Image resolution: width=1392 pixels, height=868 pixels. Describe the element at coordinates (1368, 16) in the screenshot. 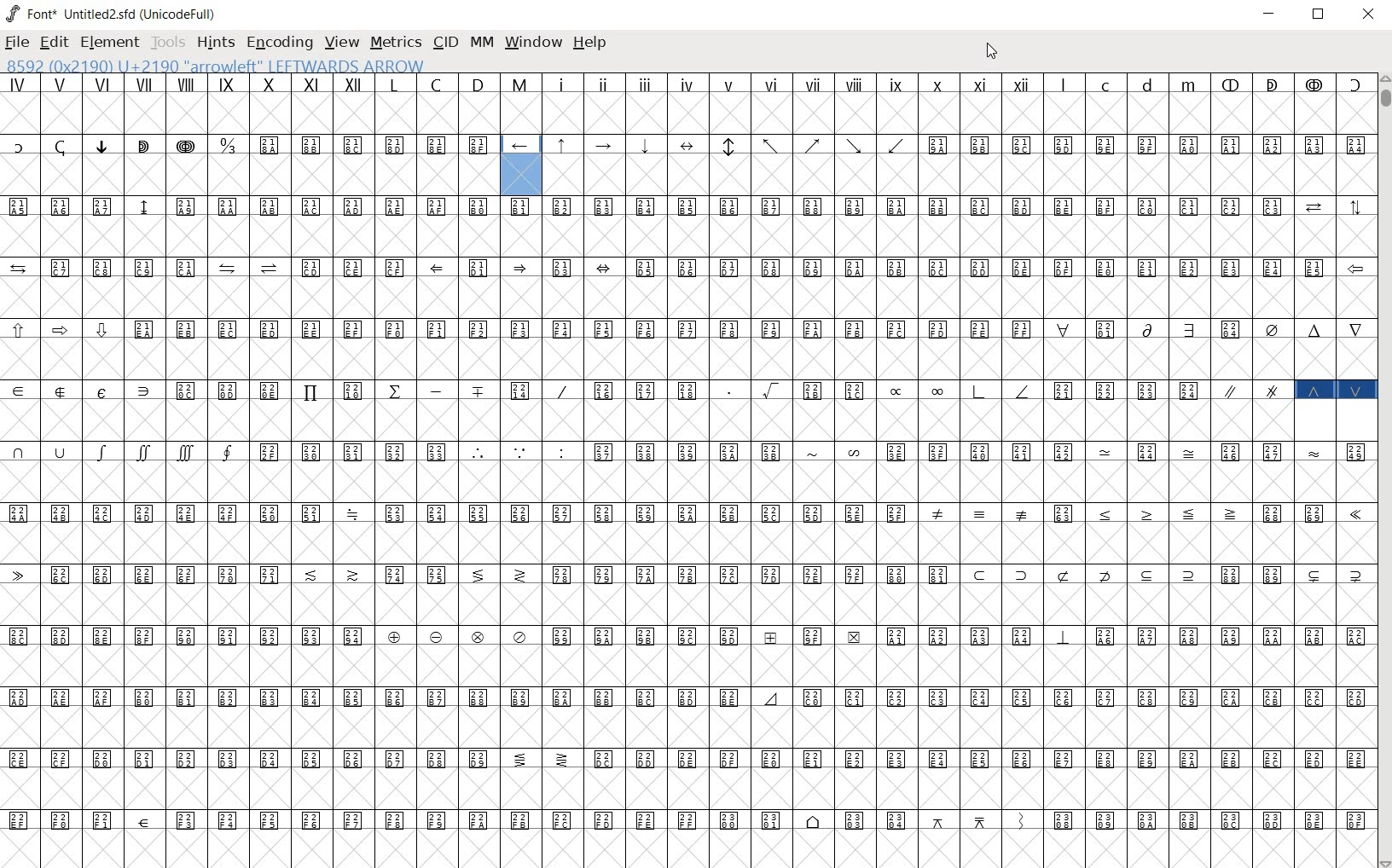

I see `close` at that location.